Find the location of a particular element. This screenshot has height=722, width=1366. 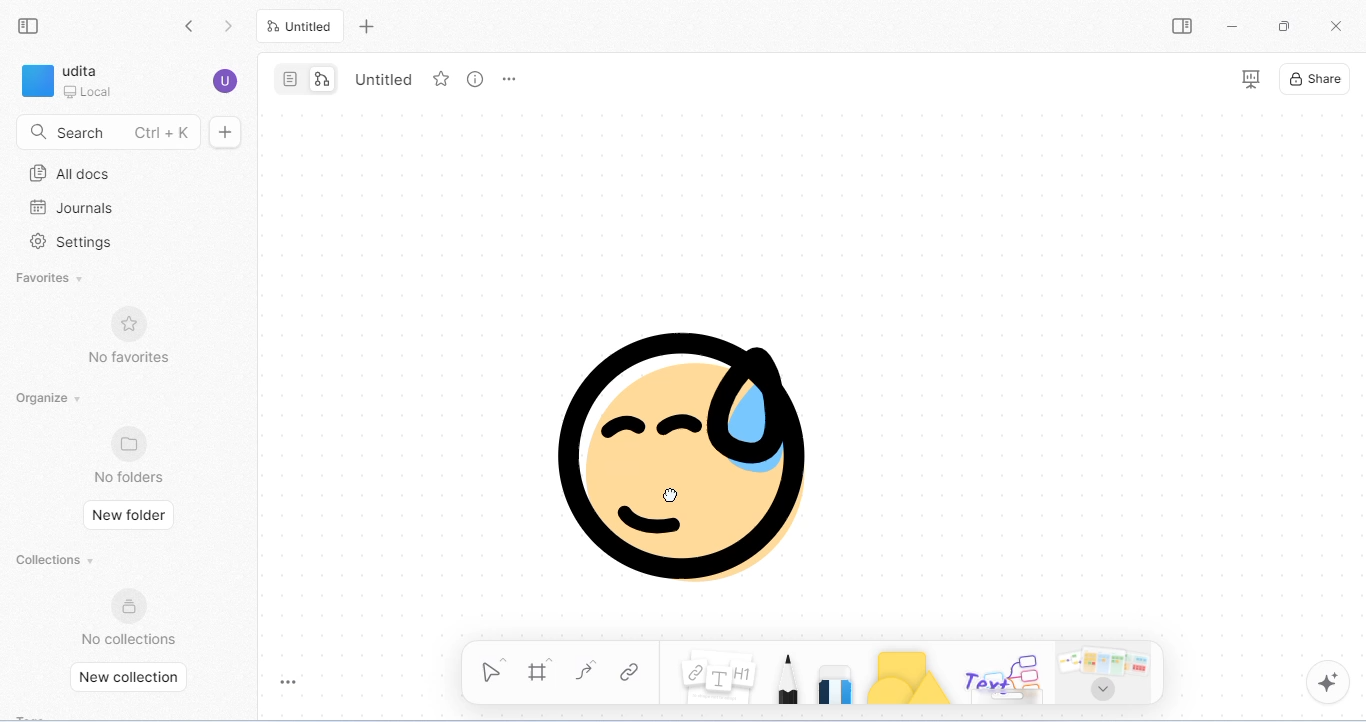

edgeless mode is located at coordinates (322, 80).